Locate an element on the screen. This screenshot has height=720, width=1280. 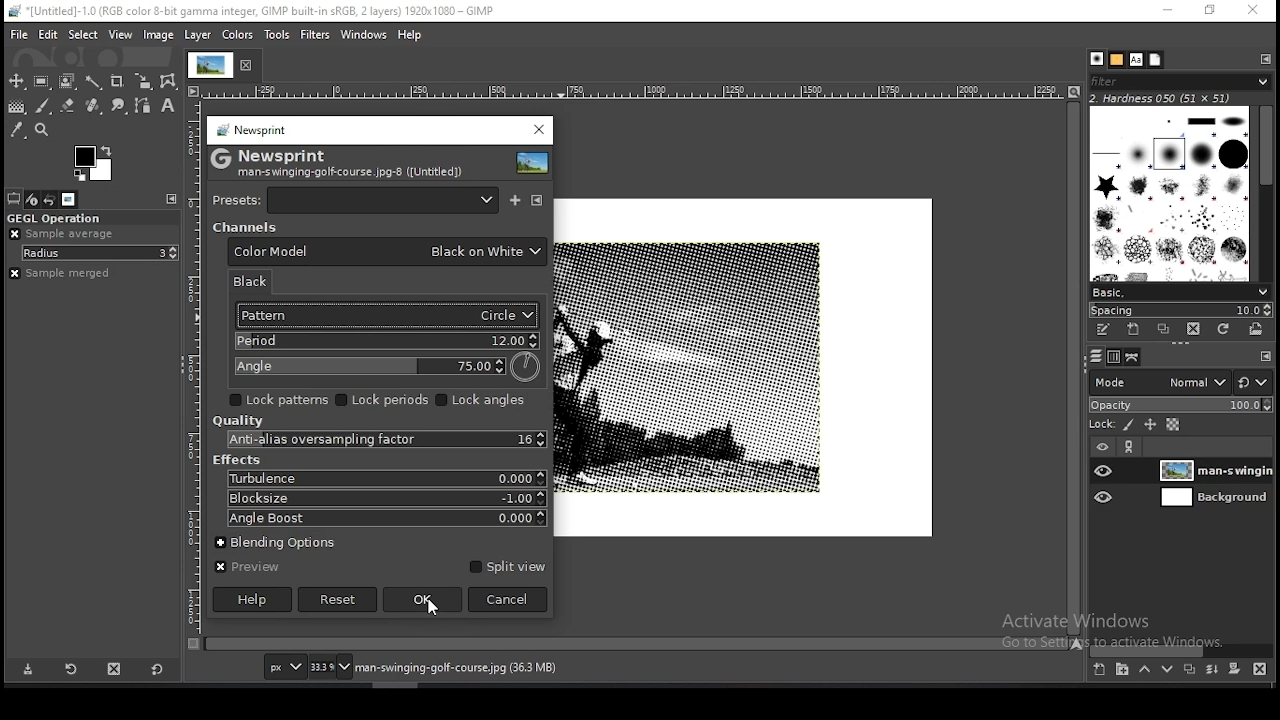
brushes is located at coordinates (1096, 58).